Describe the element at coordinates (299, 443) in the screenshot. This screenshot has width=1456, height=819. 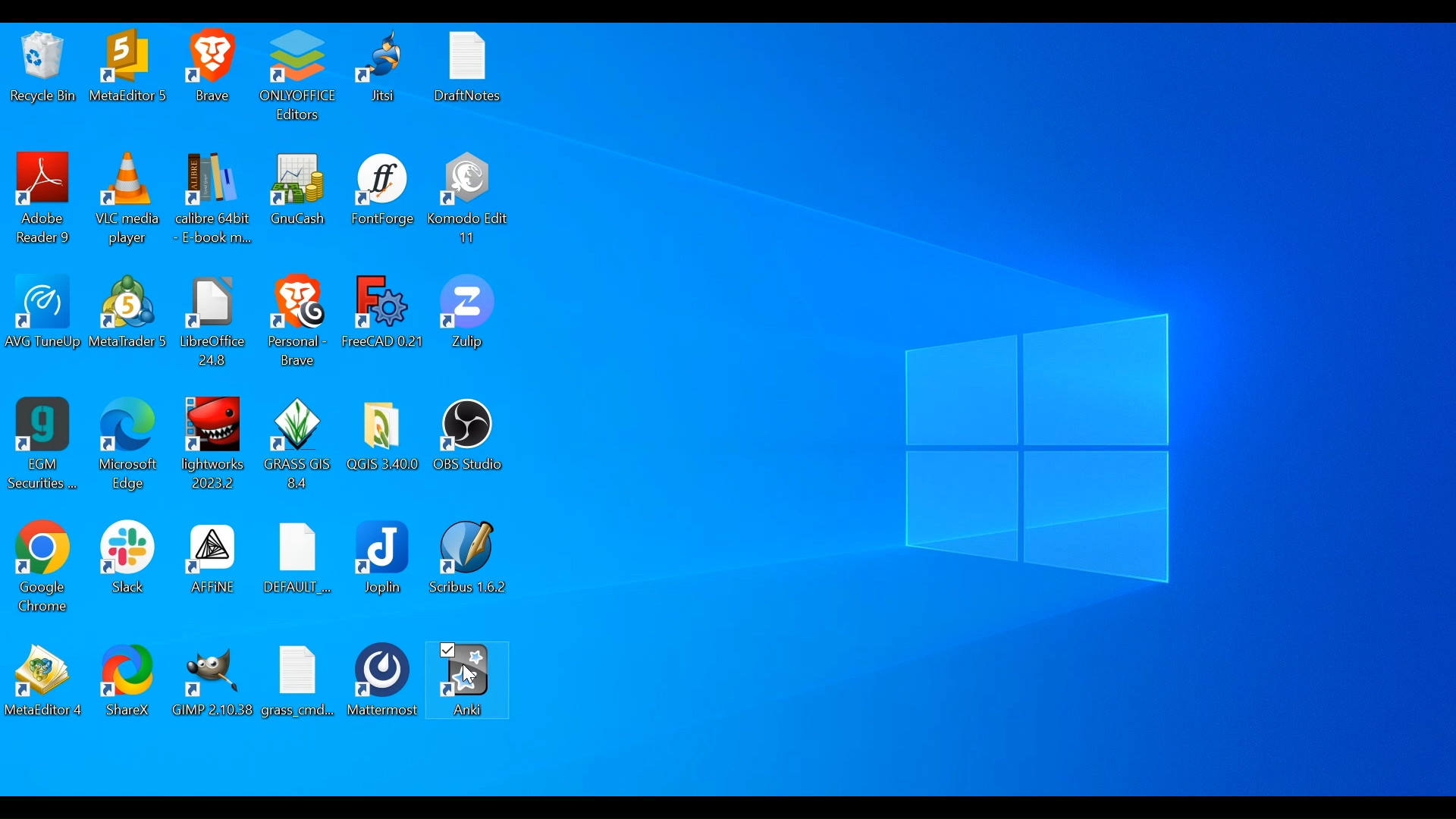
I see `GrassGis Desktop icon` at that location.